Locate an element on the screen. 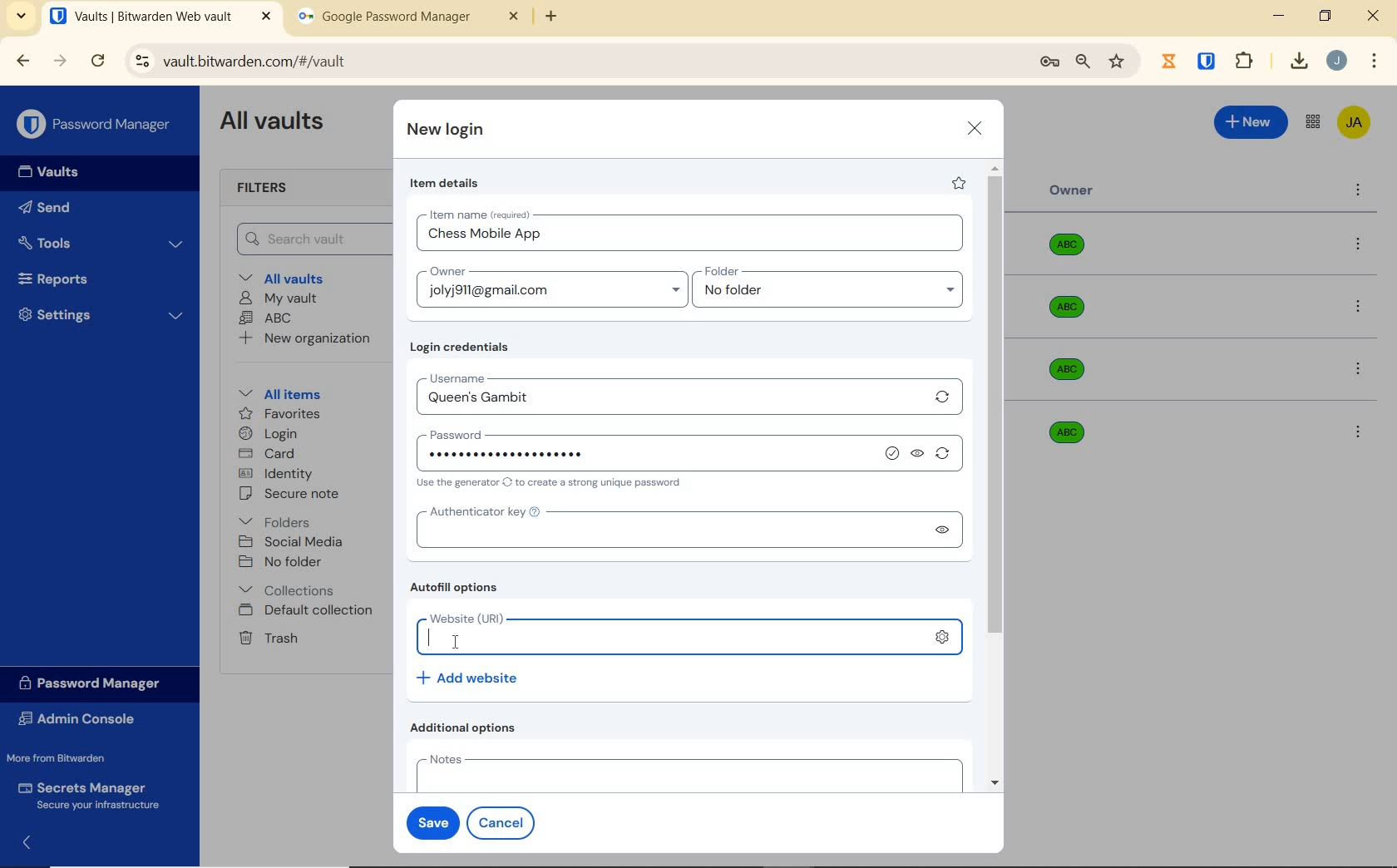 The height and width of the screenshot is (868, 1397). Password Manager is located at coordinates (96, 126).